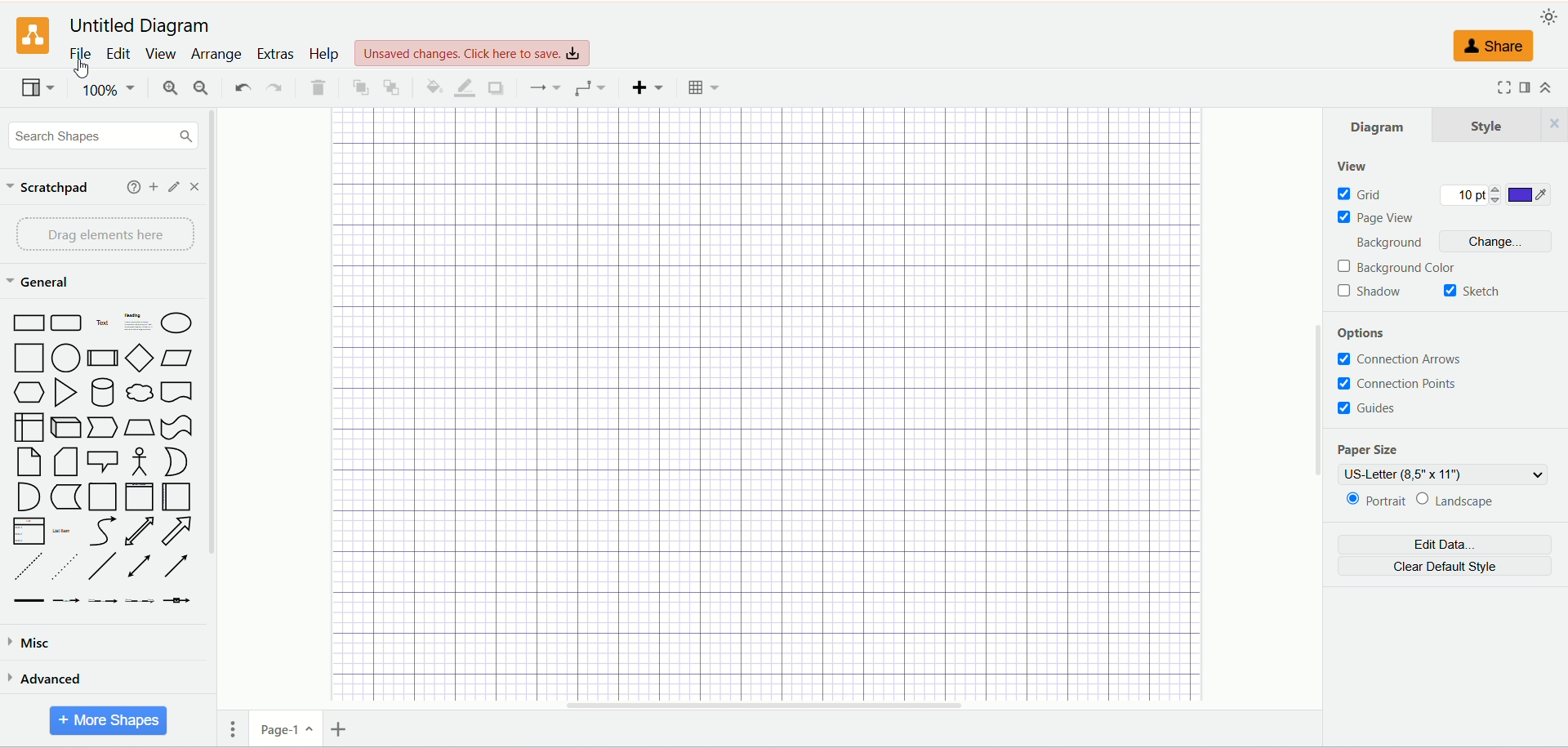 The image size is (1568, 748). Describe the element at coordinates (212, 427) in the screenshot. I see `vertical scroll bar` at that location.